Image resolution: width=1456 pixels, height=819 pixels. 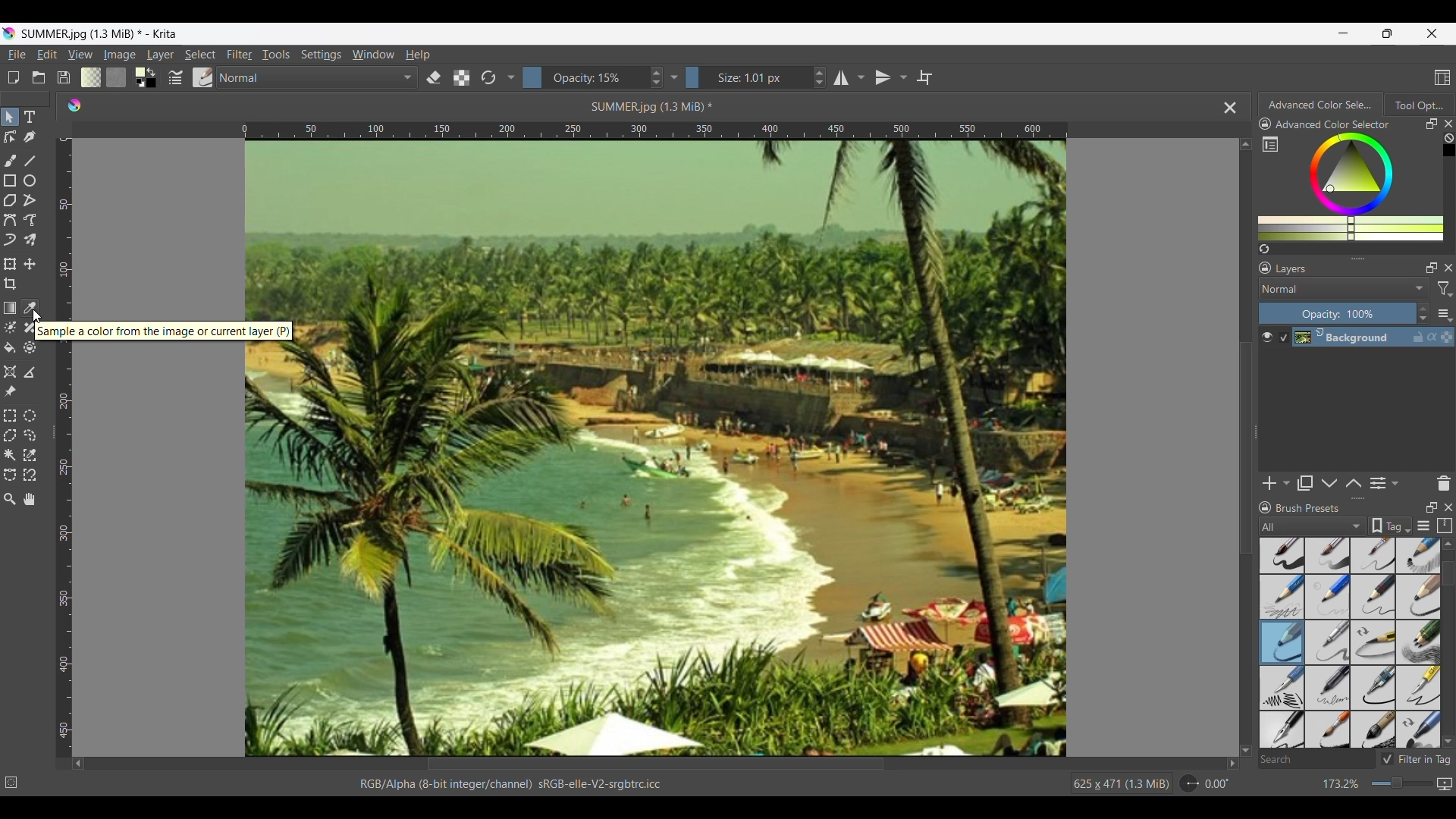 I want to click on Smart patch tool, so click(x=30, y=328).